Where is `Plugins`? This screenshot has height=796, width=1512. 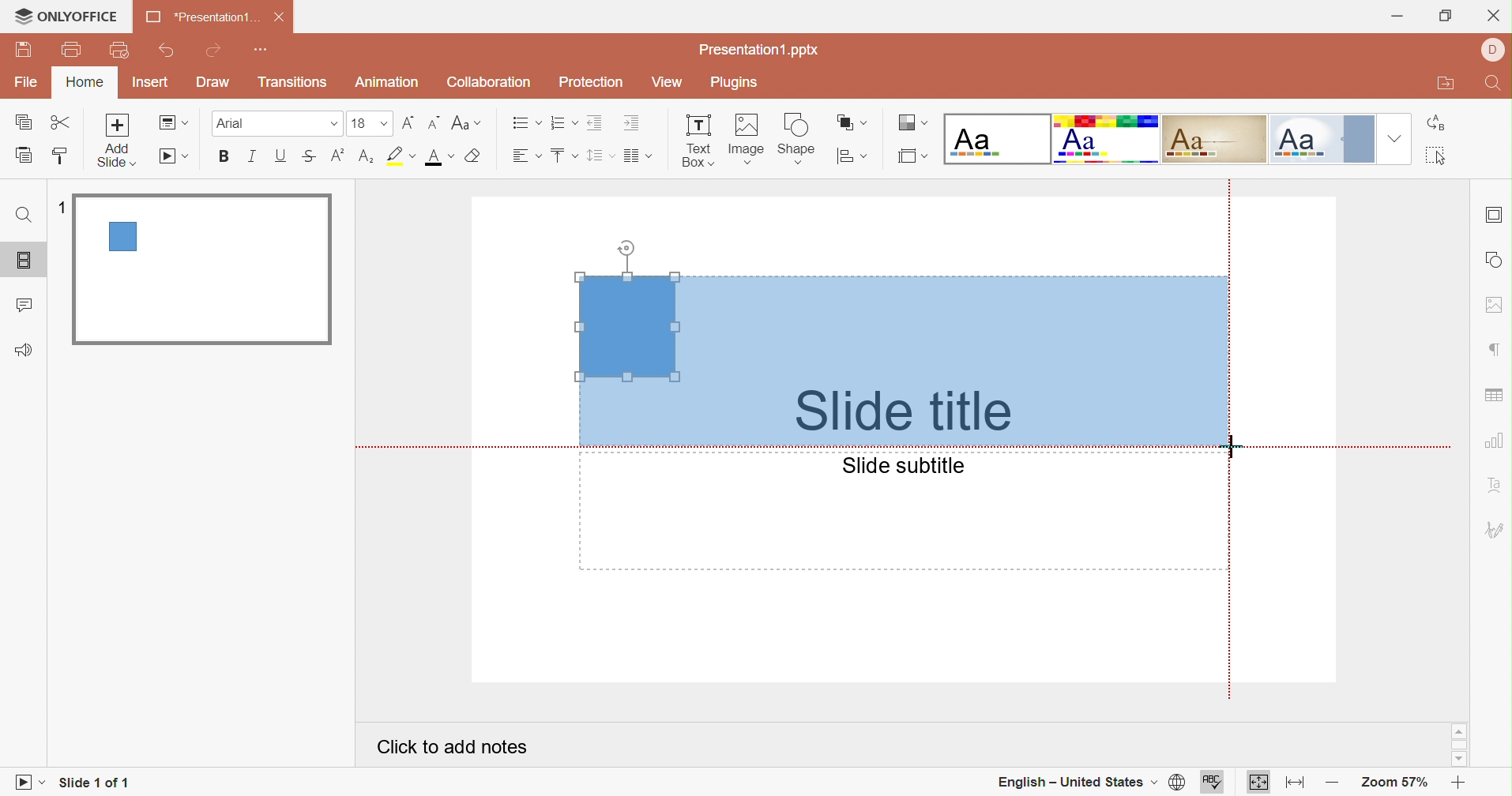
Plugins is located at coordinates (732, 83).